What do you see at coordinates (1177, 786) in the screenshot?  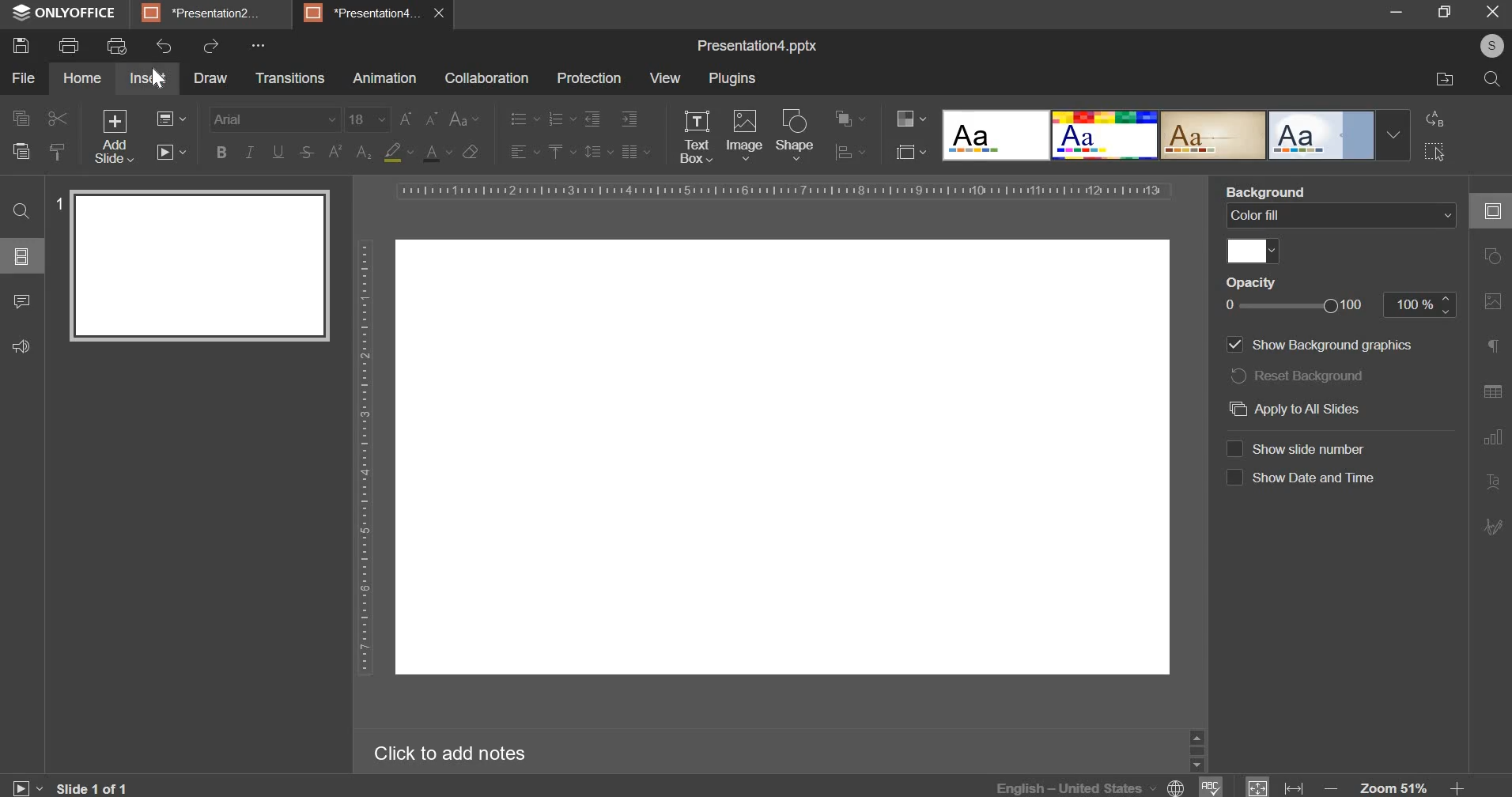 I see `set document language` at bounding box center [1177, 786].